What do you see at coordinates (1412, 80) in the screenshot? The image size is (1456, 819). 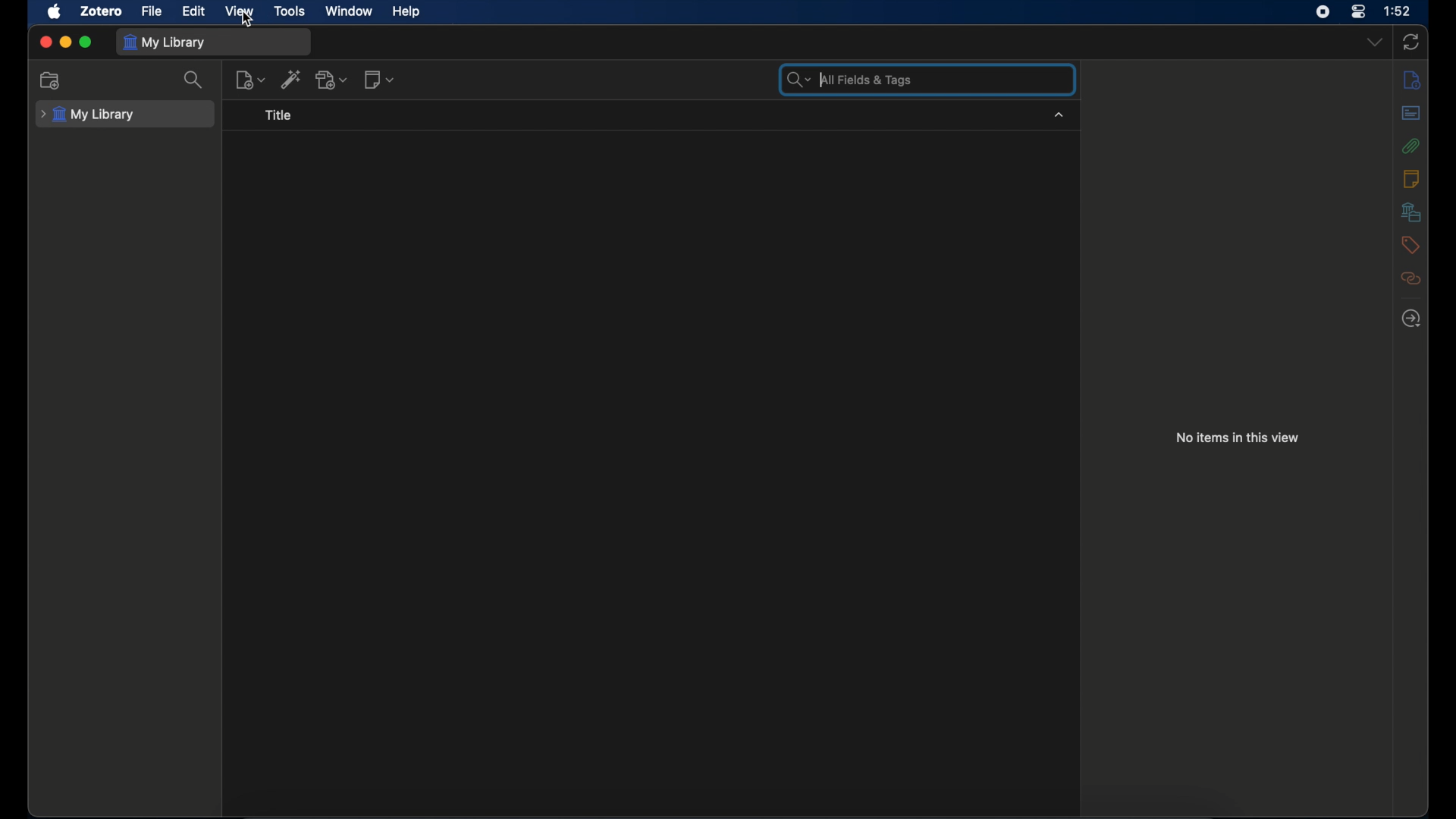 I see `info` at bounding box center [1412, 80].